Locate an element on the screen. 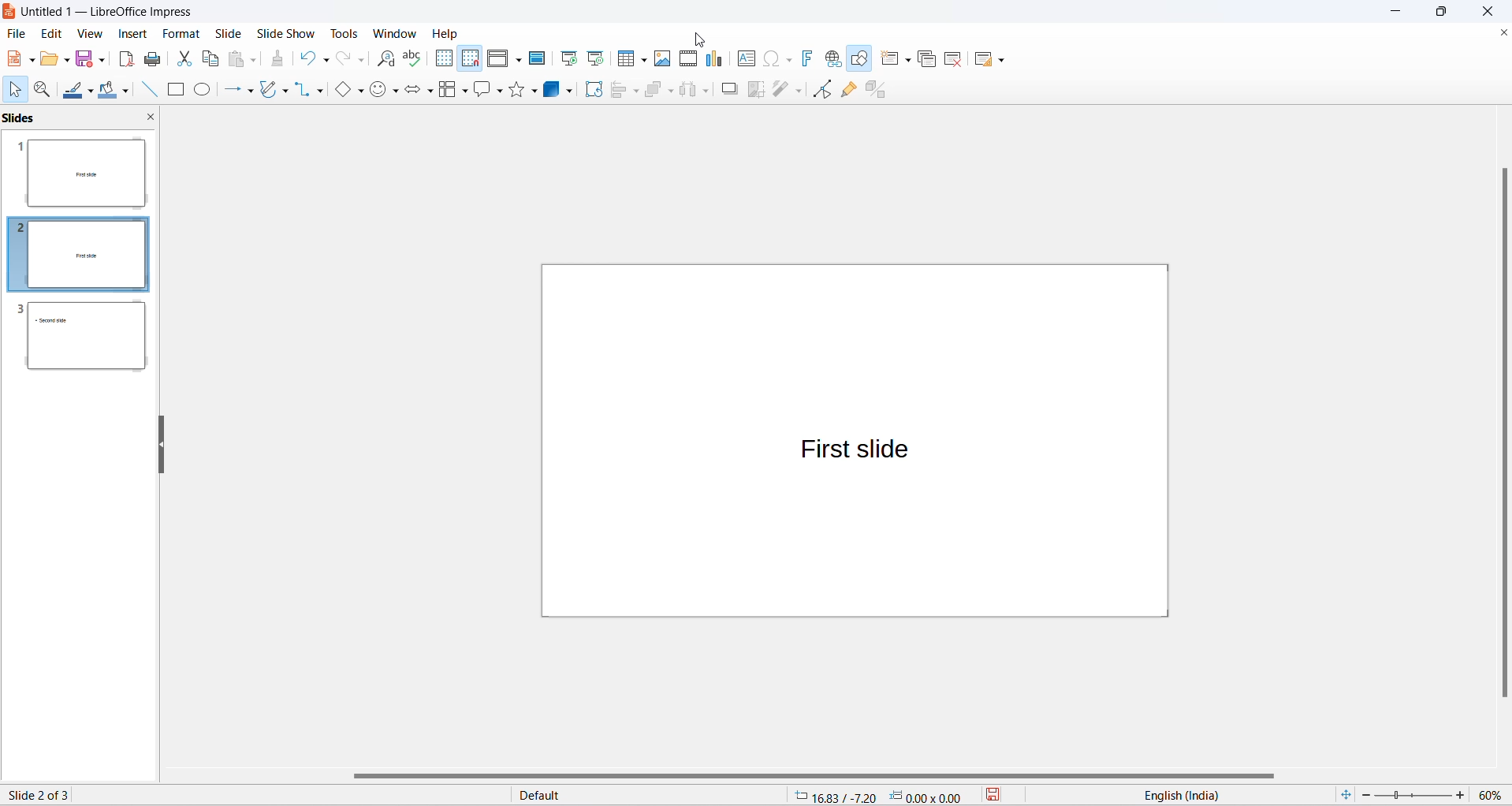 Image resolution: width=1512 pixels, height=806 pixels. curve and polygons options is located at coordinates (285, 91).